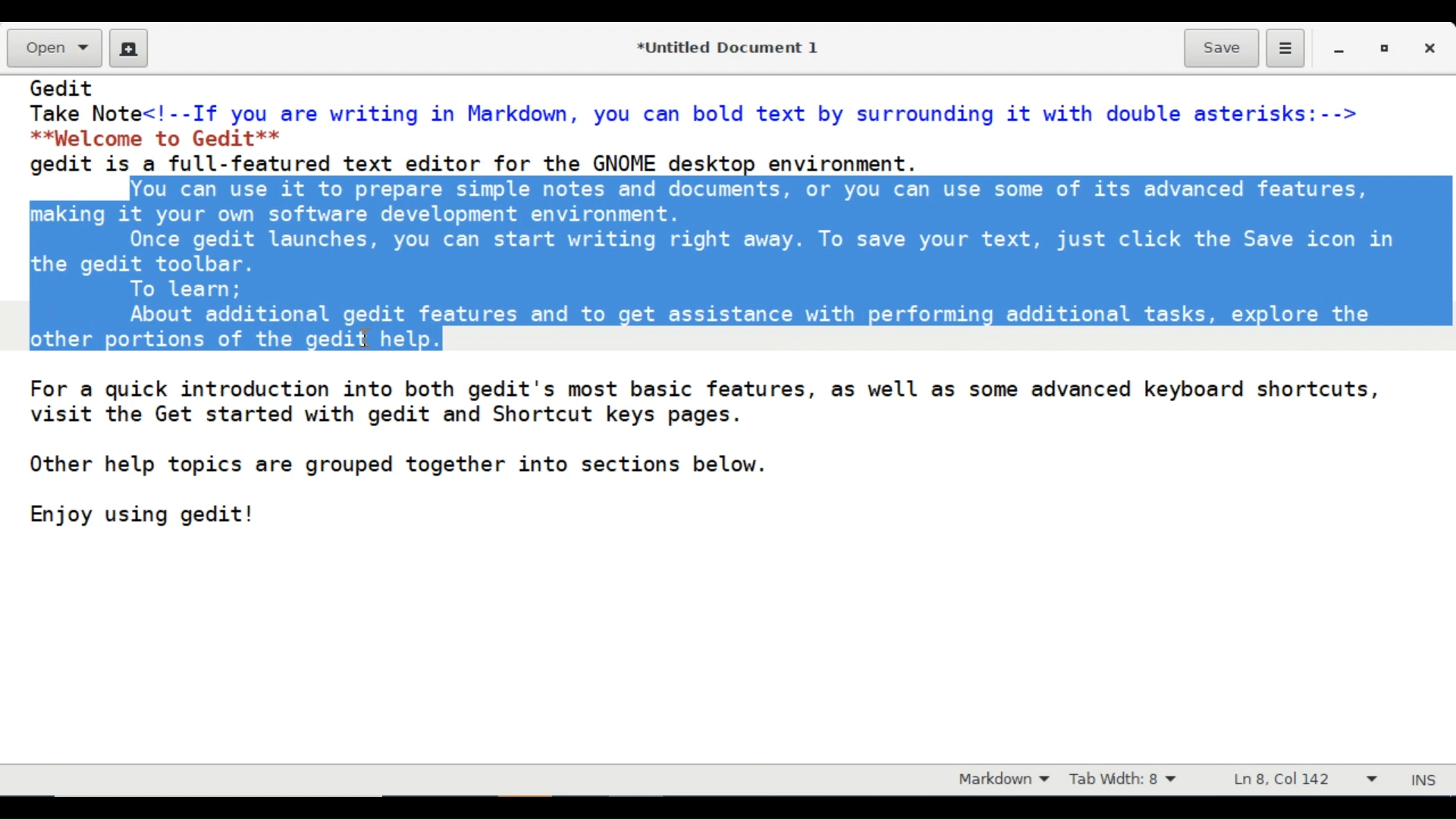  Describe the element at coordinates (1222, 47) in the screenshot. I see `Save` at that location.